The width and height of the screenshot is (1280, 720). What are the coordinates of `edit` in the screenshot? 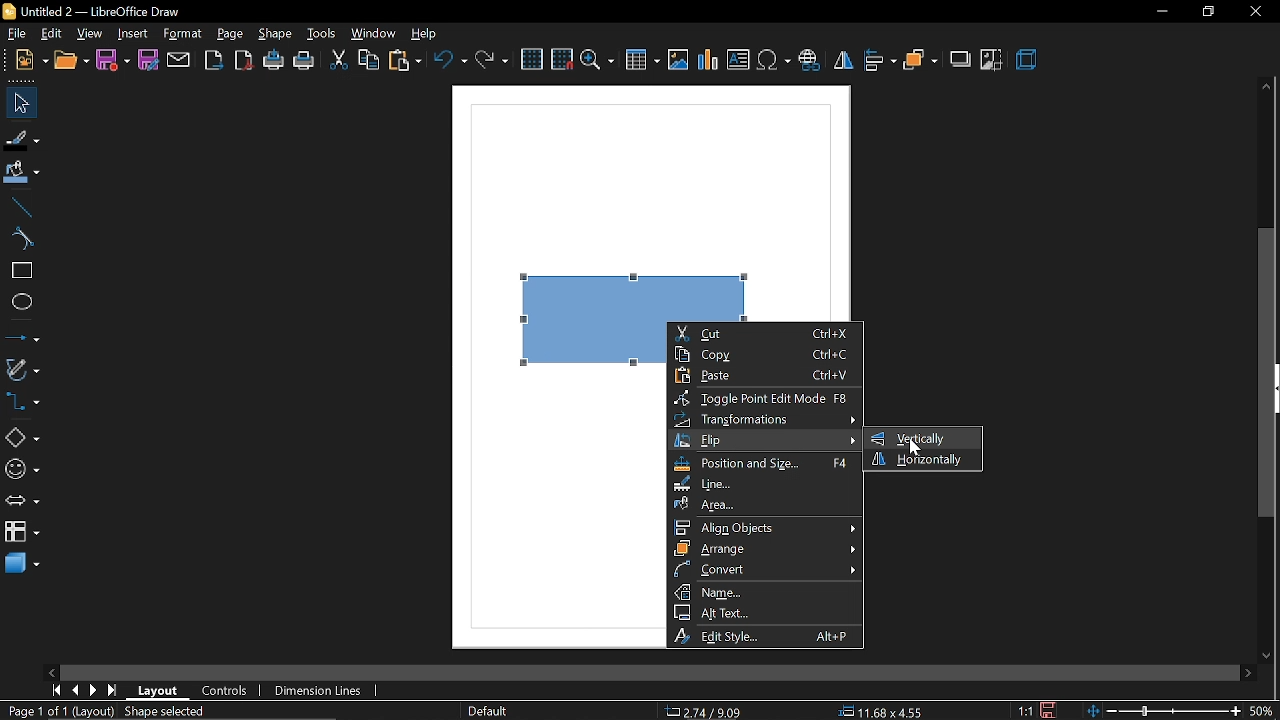 It's located at (51, 34).